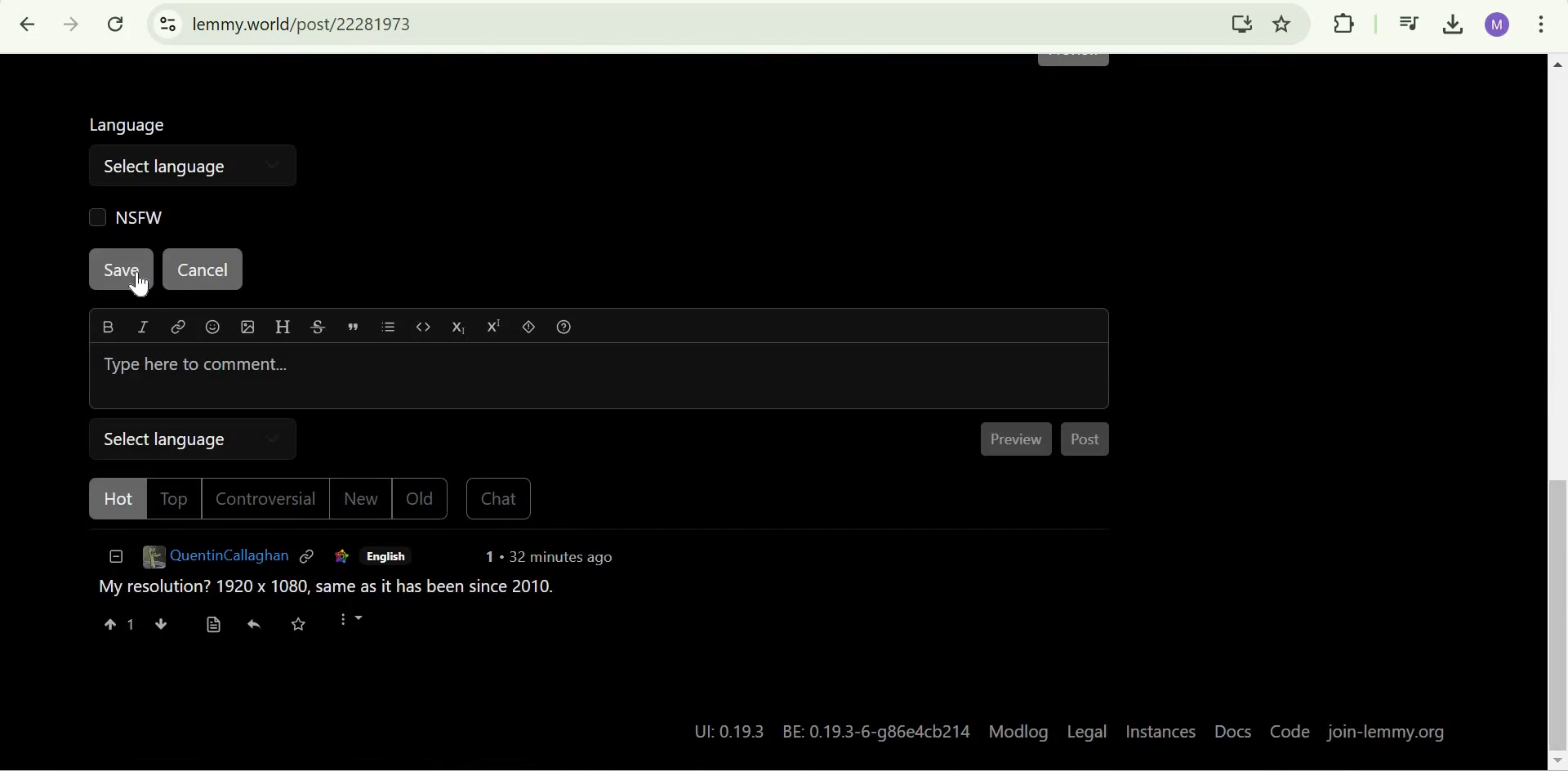  What do you see at coordinates (422, 501) in the screenshot?
I see `Old` at bounding box center [422, 501].